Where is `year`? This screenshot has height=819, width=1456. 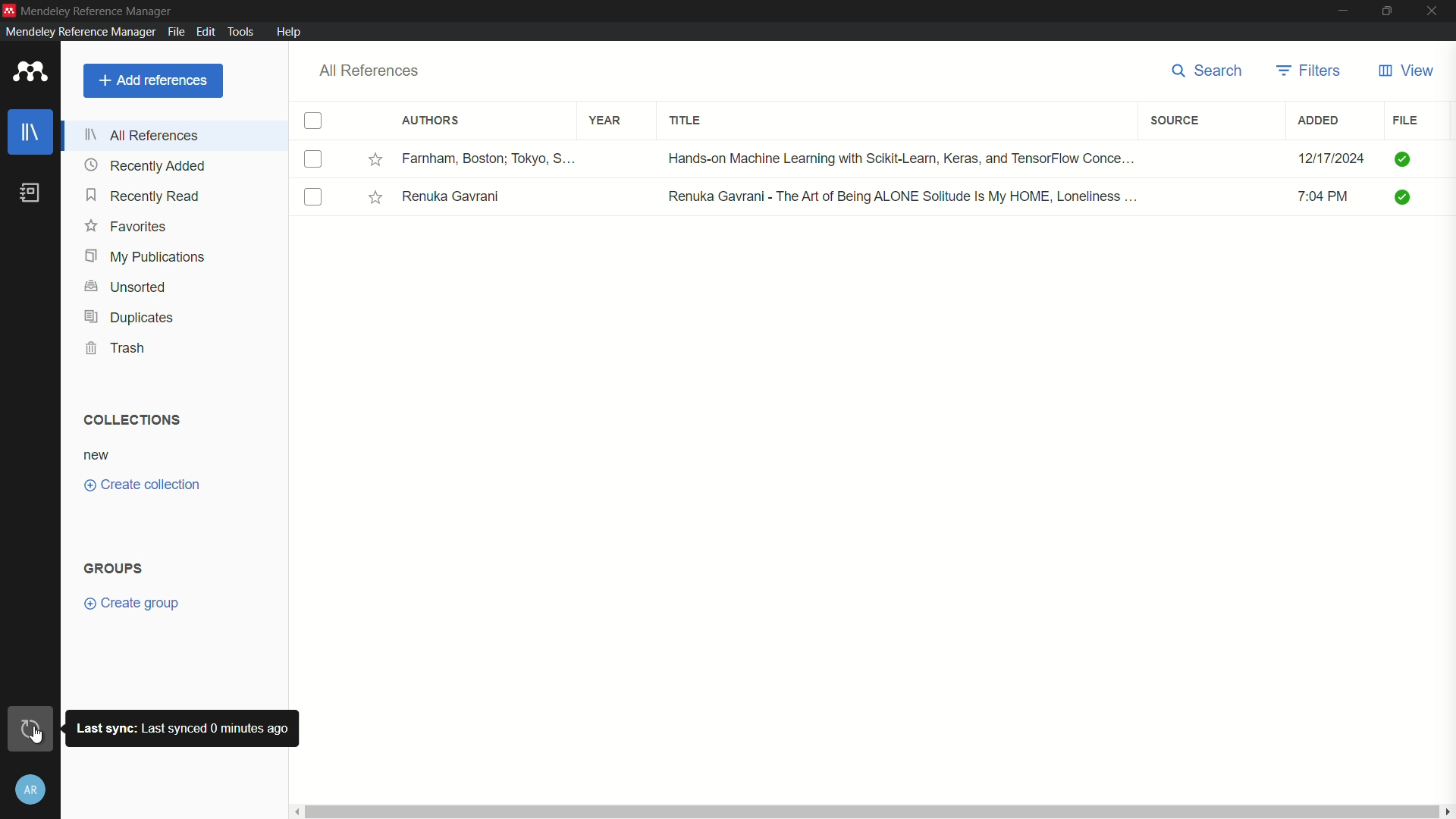 year is located at coordinates (606, 120).